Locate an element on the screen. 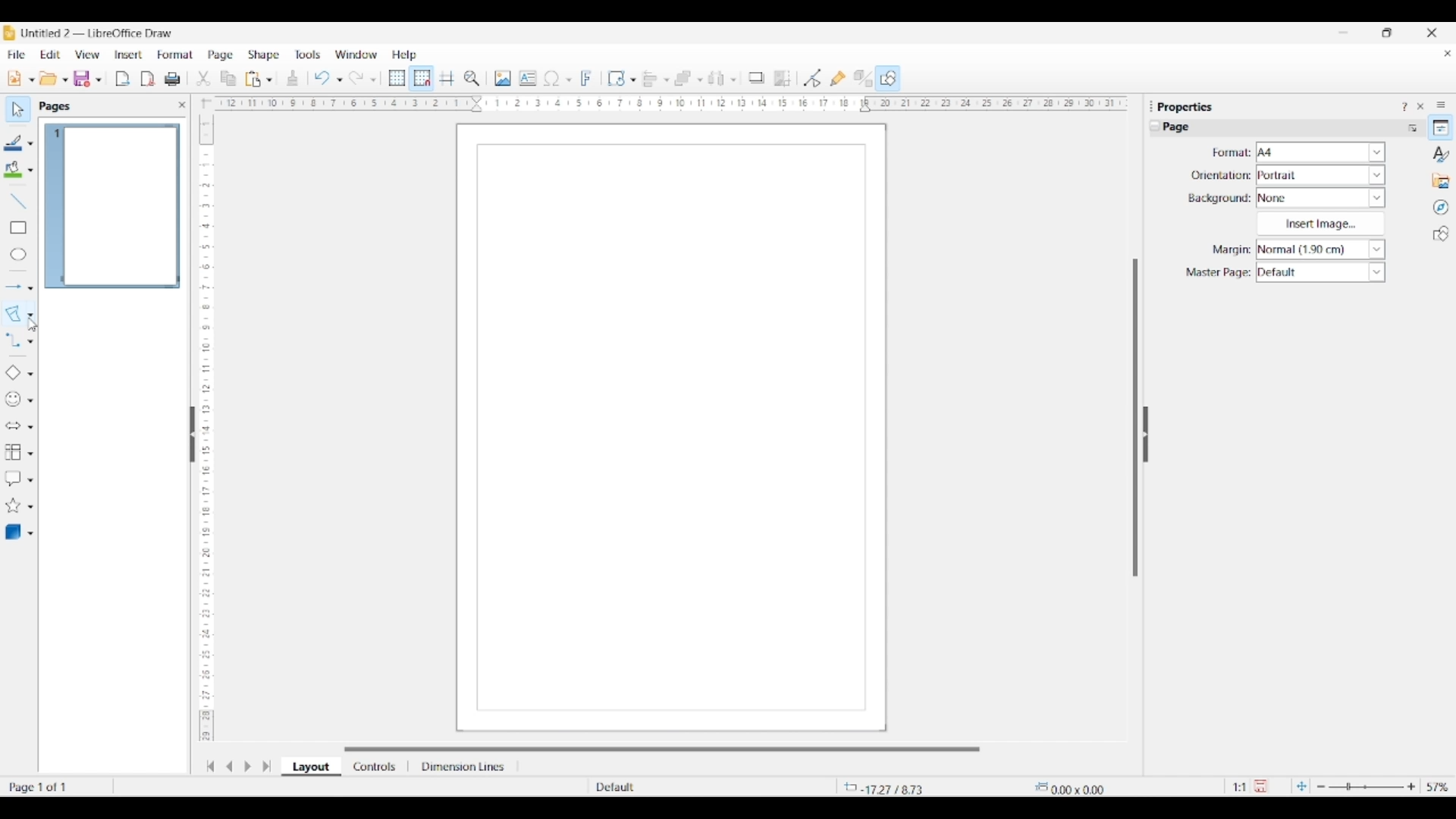 This screenshot has height=819, width=1456. Sidebar settings is located at coordinates (1441, 104).